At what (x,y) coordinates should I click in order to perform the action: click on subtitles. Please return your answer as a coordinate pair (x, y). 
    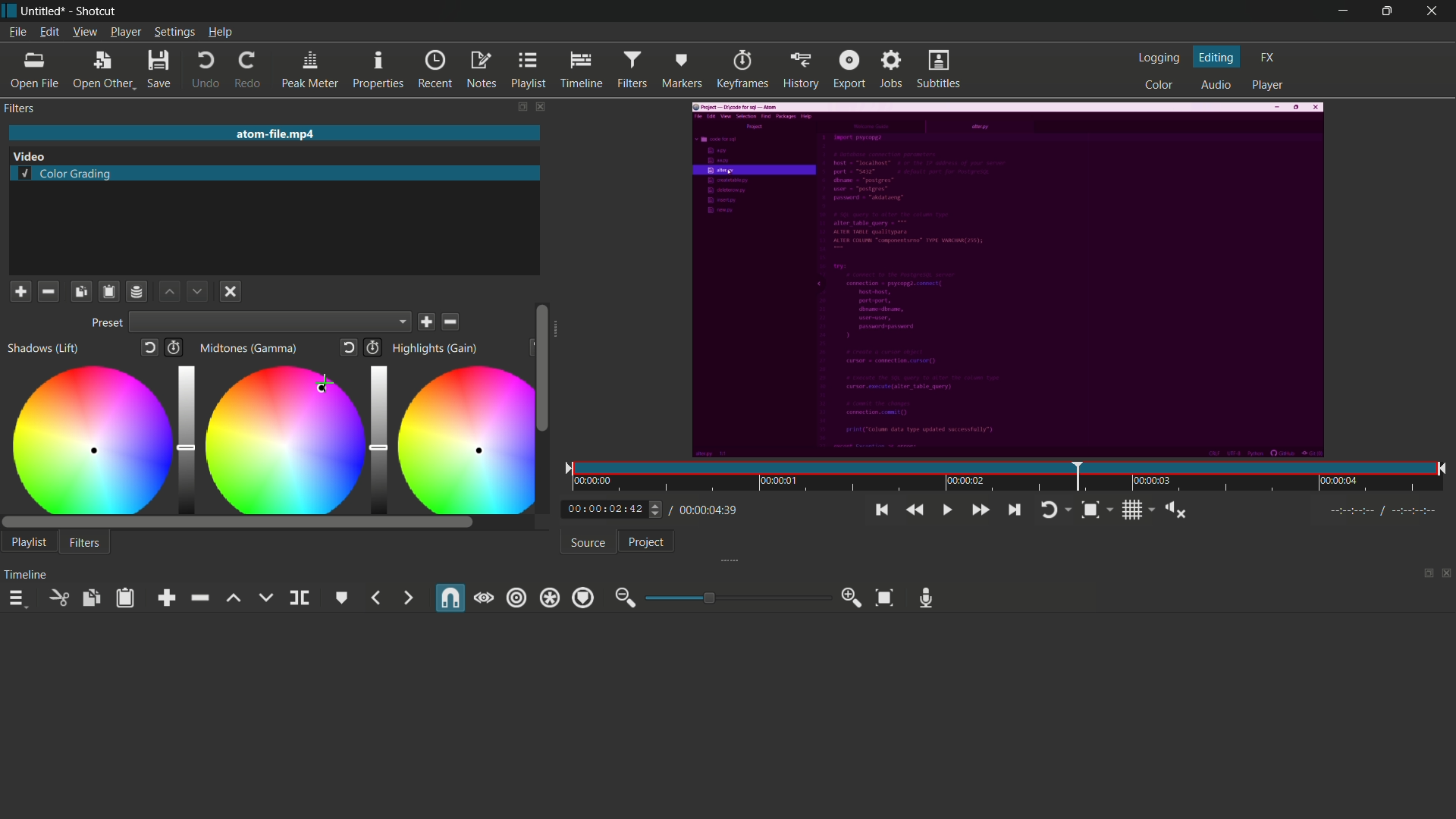
    Looking at the image, I should click on (938, 69).